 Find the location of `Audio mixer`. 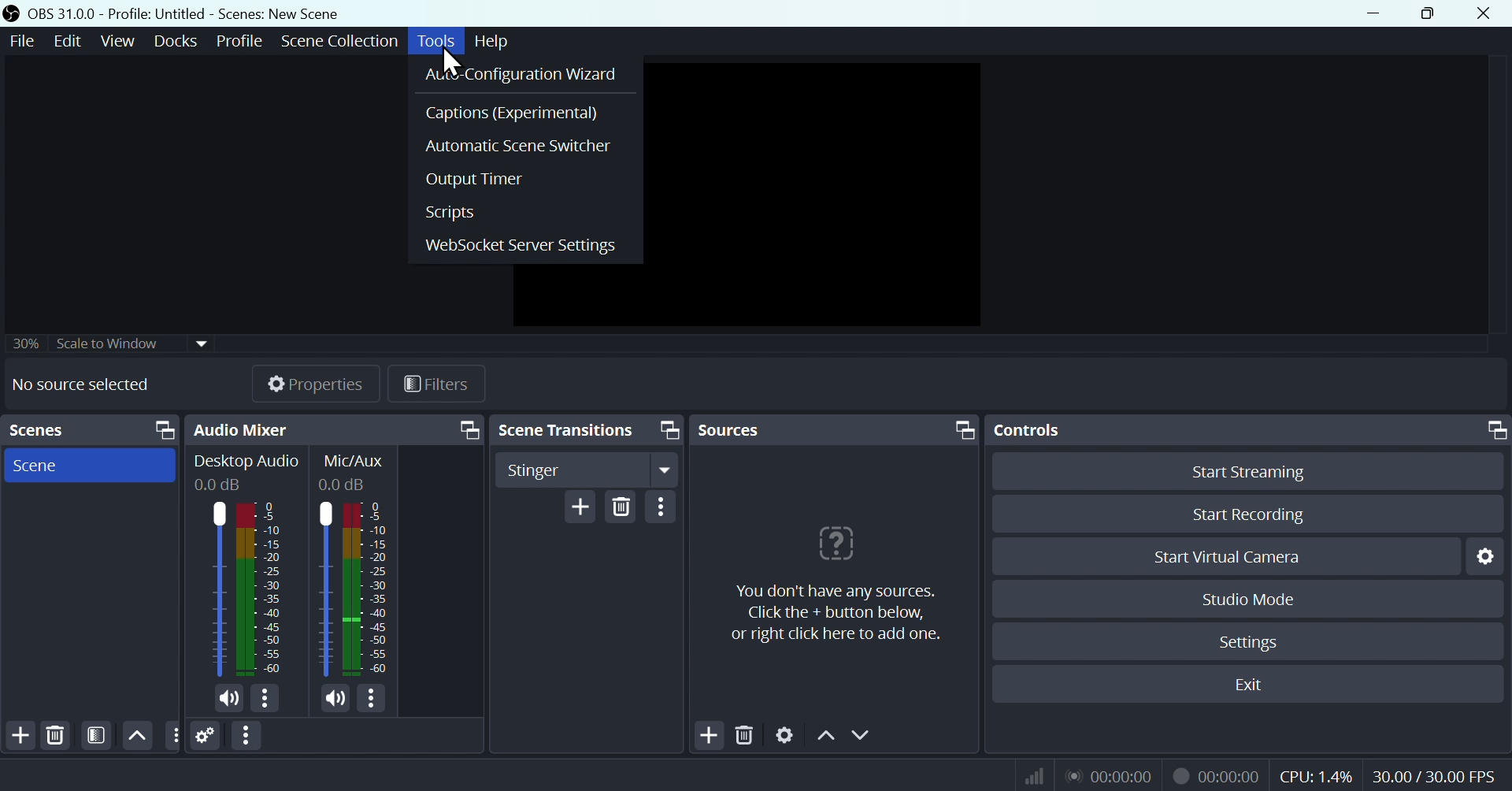

Audio mixer is located at coordinates (246, 567).